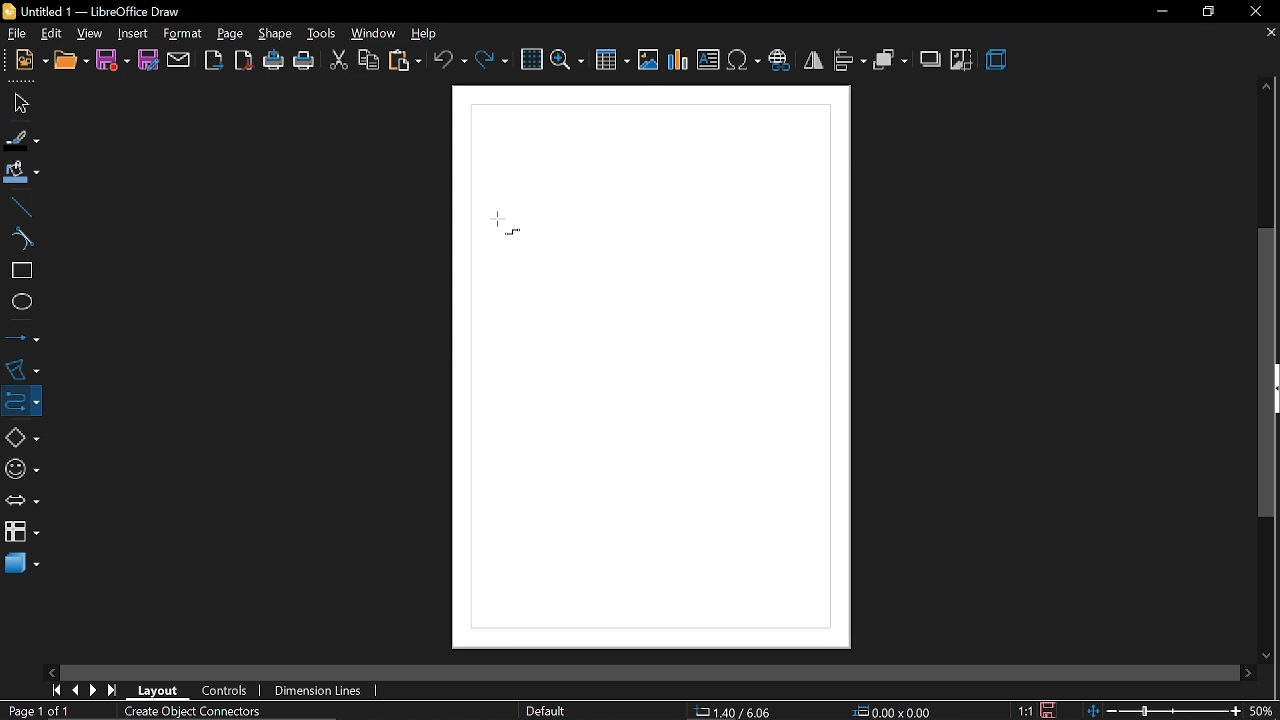  Describe the element at coordinates (546, 712) in the screenshot. I see `Default` at that location.